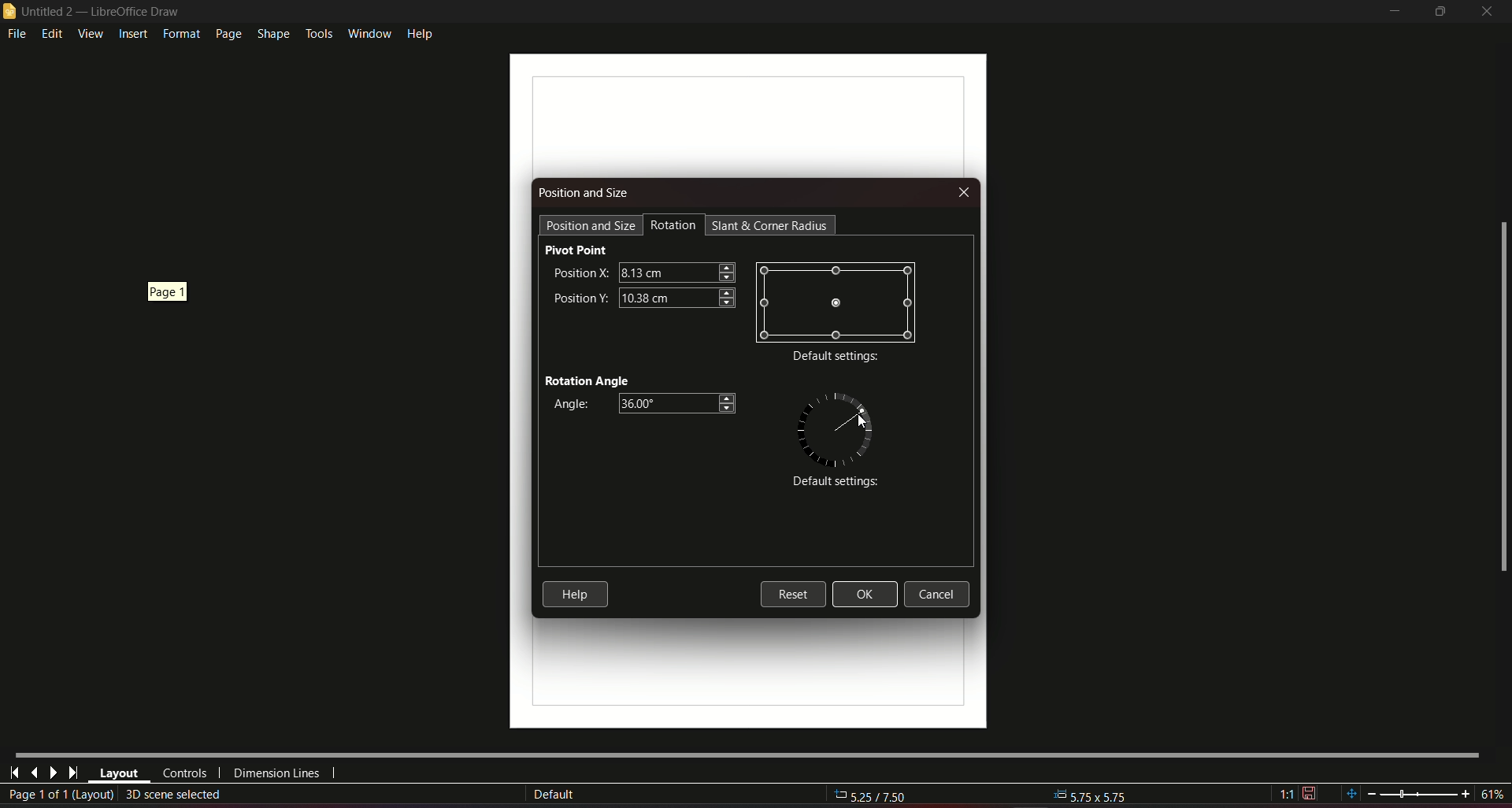  What do you see at coordinates (1440, 12) in the screenshot?
I see `minimize/maximize` at bounding box center [1440, 12].